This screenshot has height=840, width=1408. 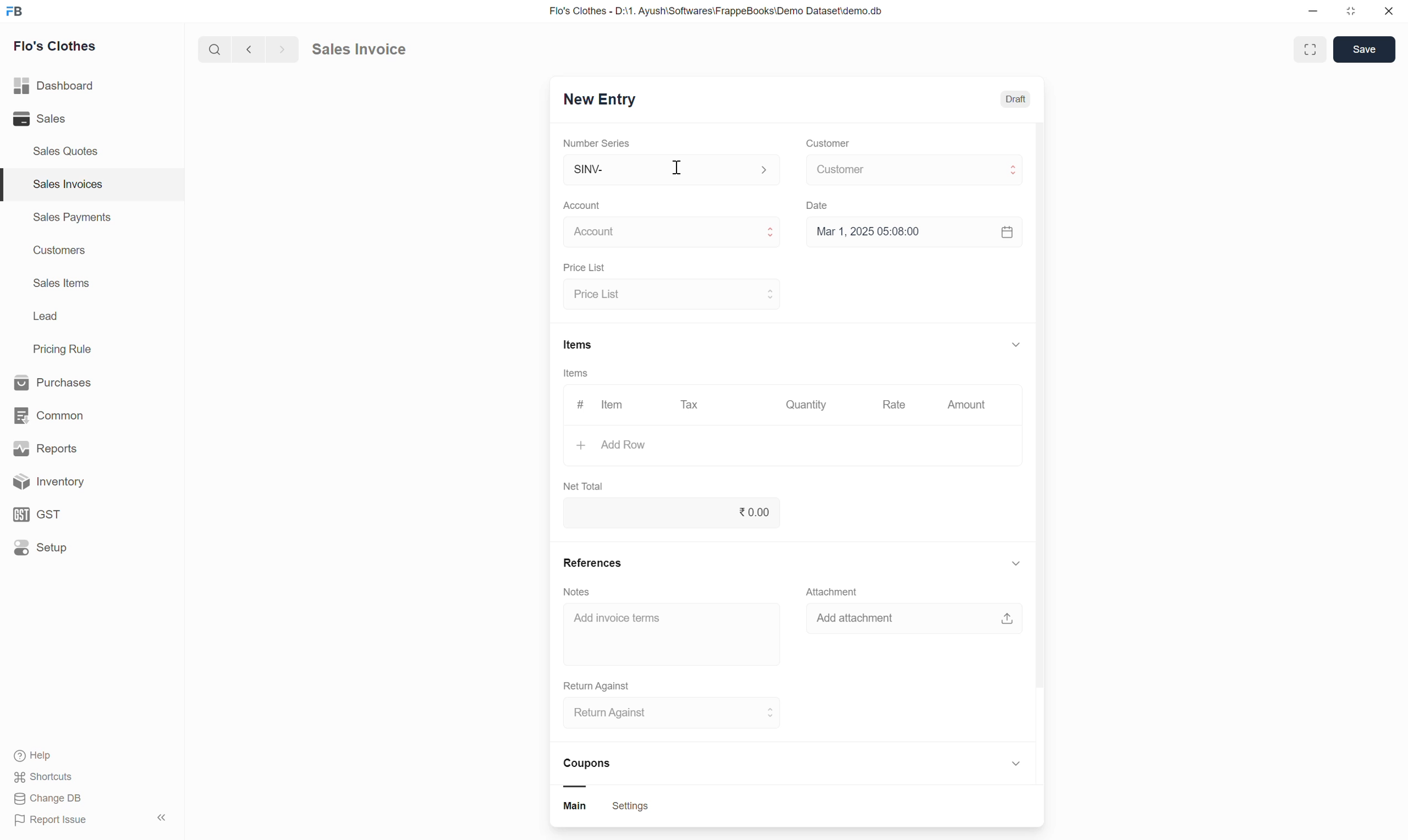 I want to click on show or hide items, so click(x=1016, y=342).